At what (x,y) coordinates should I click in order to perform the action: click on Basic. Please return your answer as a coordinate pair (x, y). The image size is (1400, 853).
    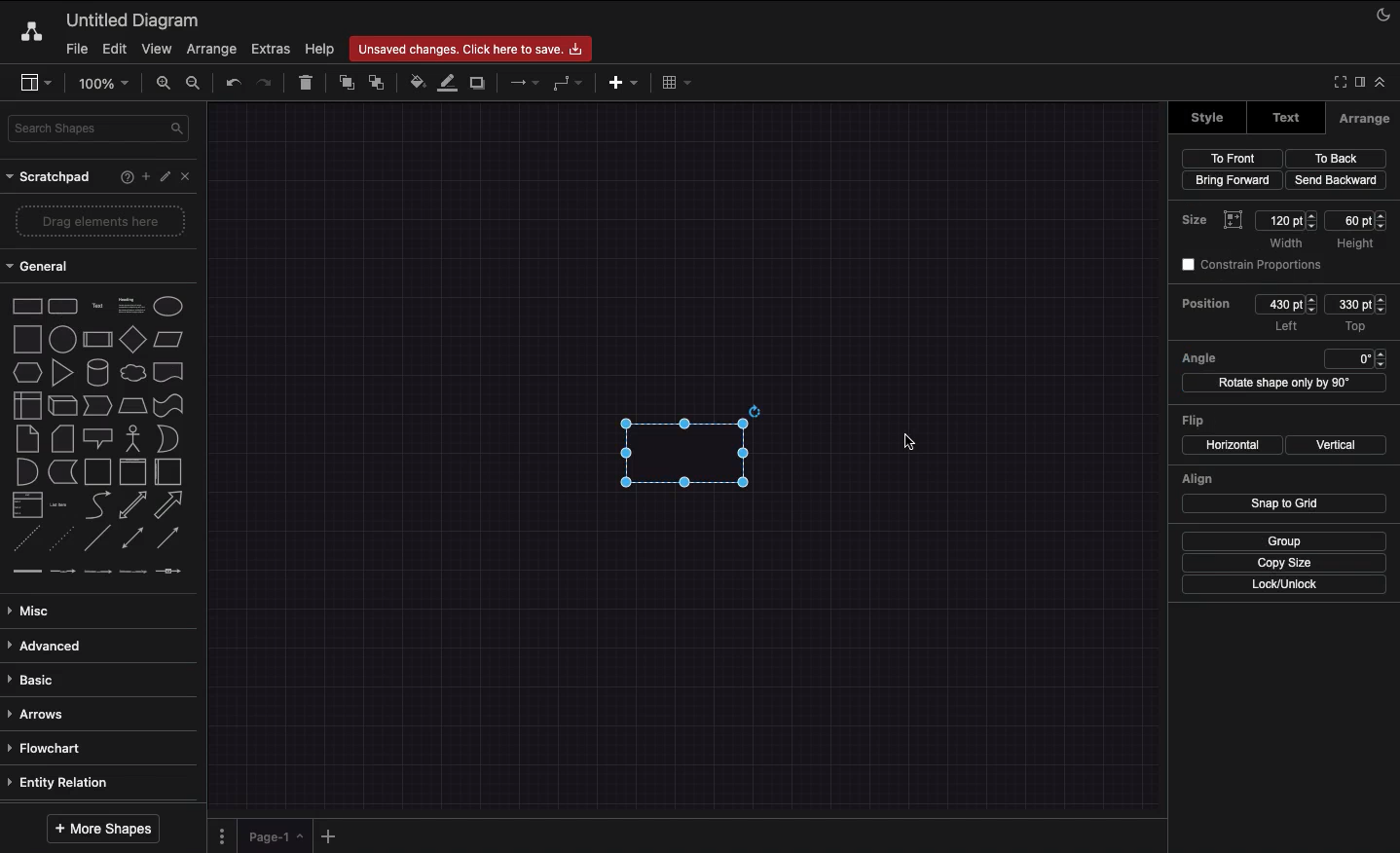
    Looking at the image, I should click on (43, 682).